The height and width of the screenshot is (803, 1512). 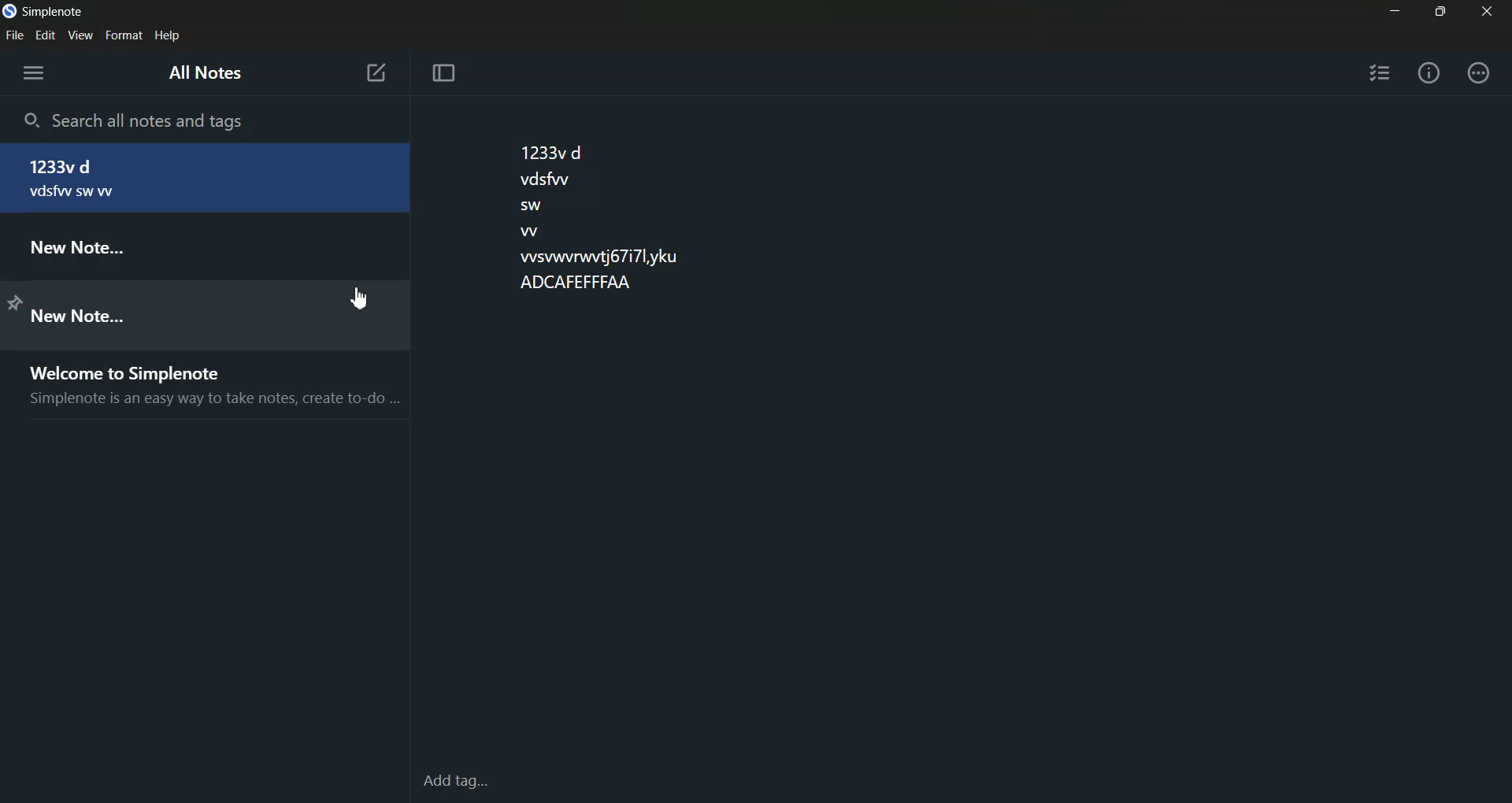 What do you see at coordinates (464, 781) in the screenshot?
I see `Add Tag` at bounding box center [464, 781].